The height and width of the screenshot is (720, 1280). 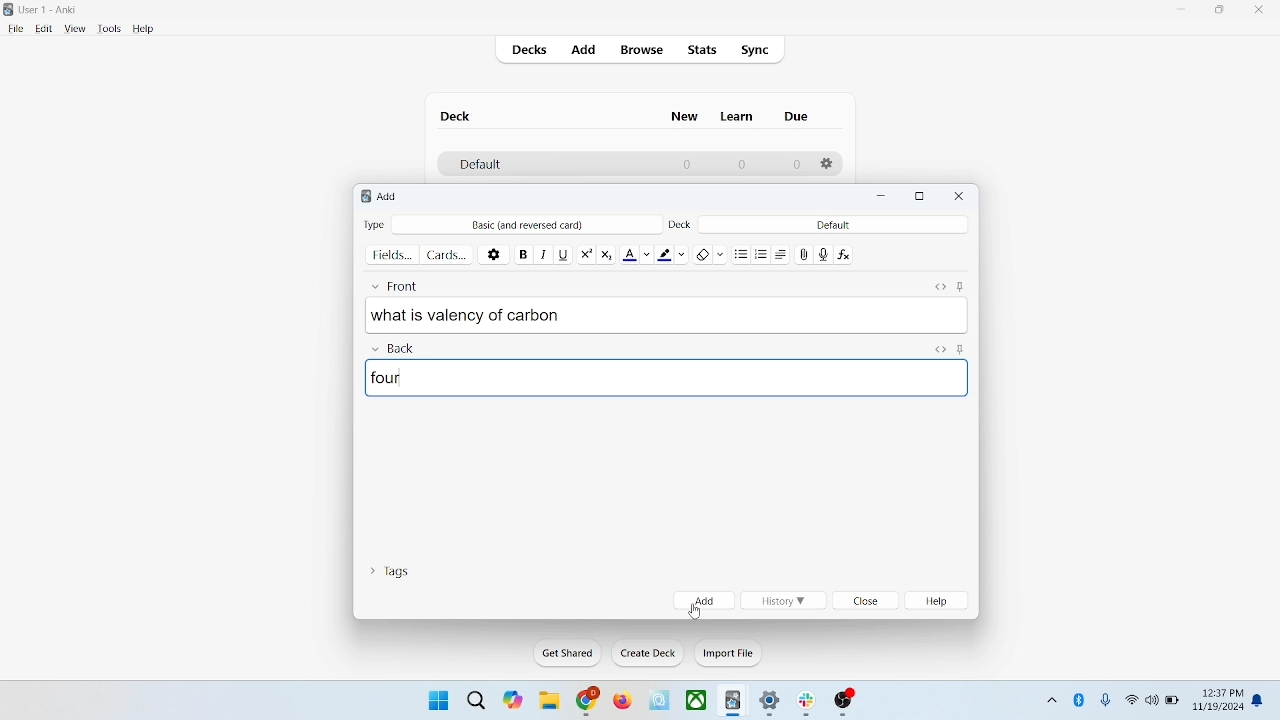 I want to click on x-box, so click(x=697, y=700).